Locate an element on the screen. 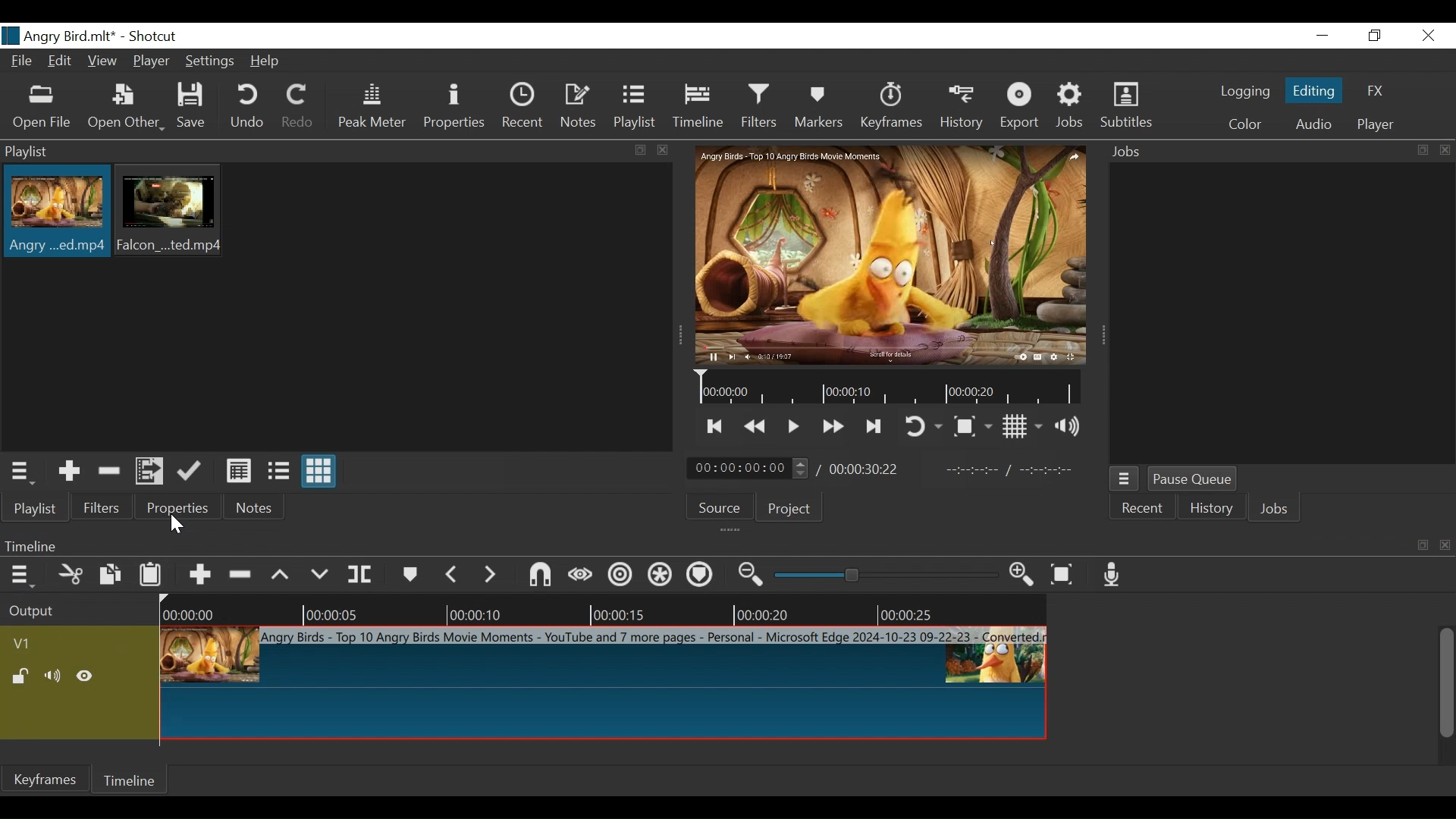  Timeline menu is located at coordinates (21, 577).